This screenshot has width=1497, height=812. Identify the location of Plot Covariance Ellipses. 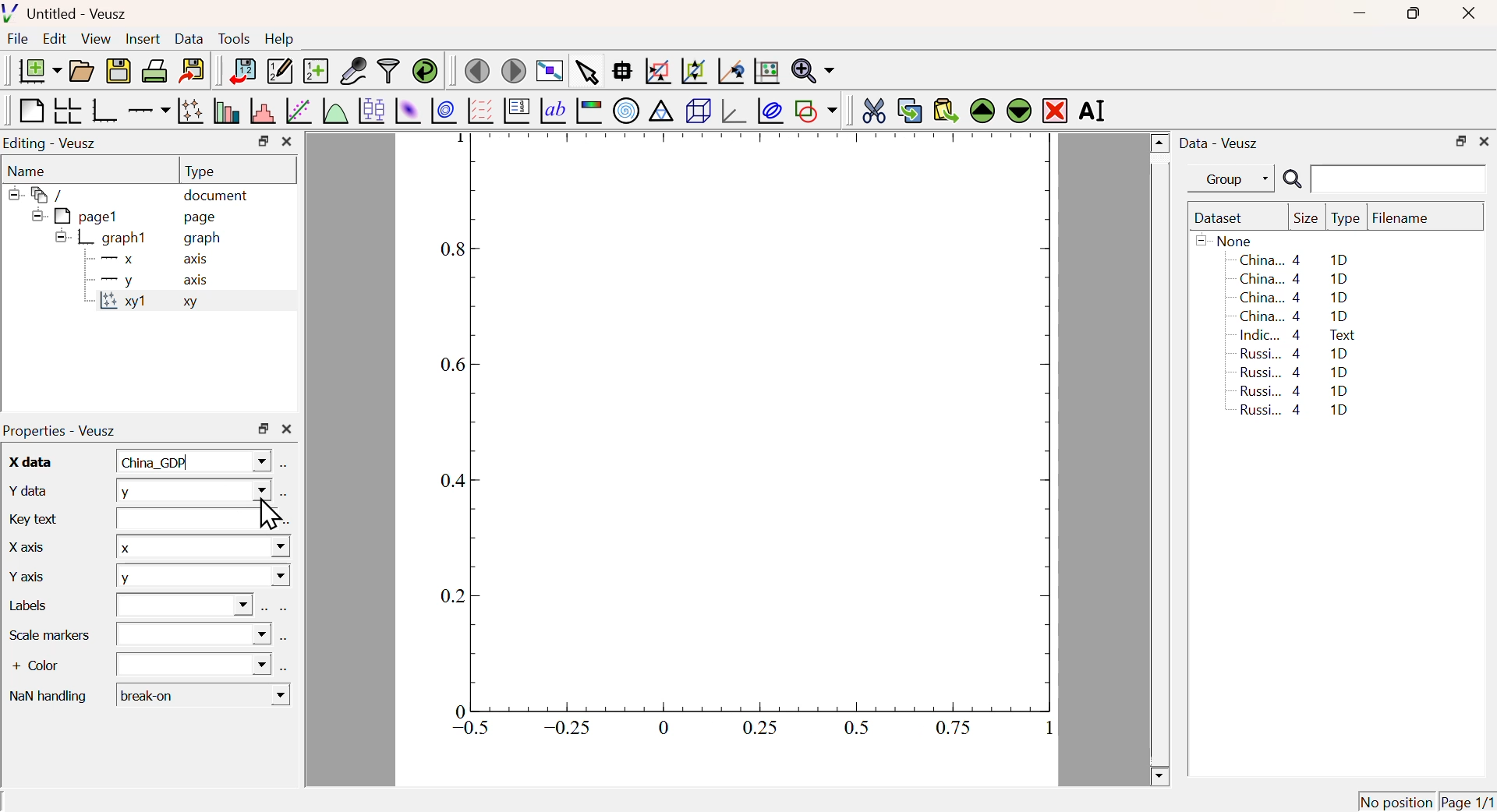
(770, 112).